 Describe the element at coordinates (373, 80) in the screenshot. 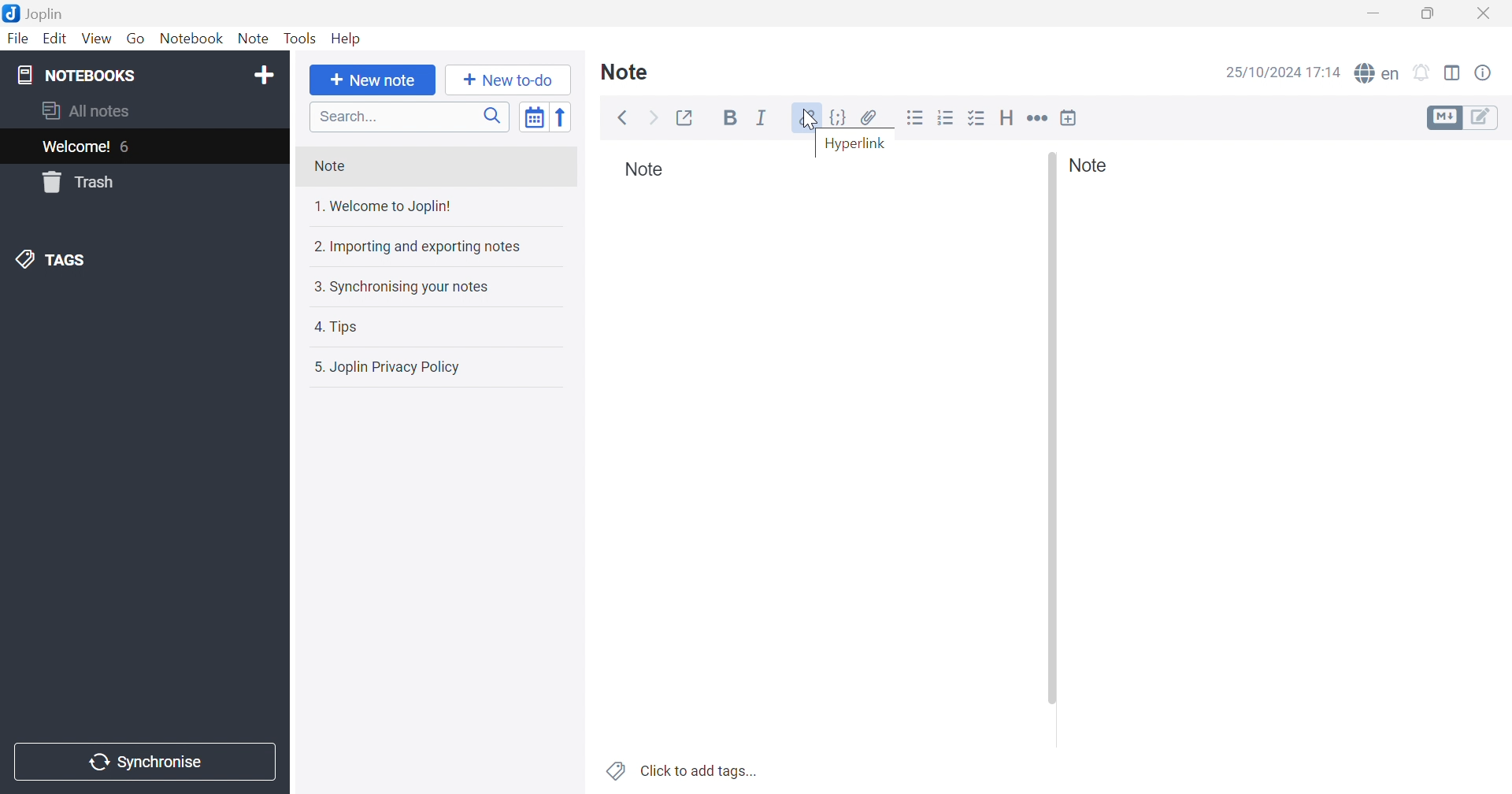

I see `+ New note` at that location.